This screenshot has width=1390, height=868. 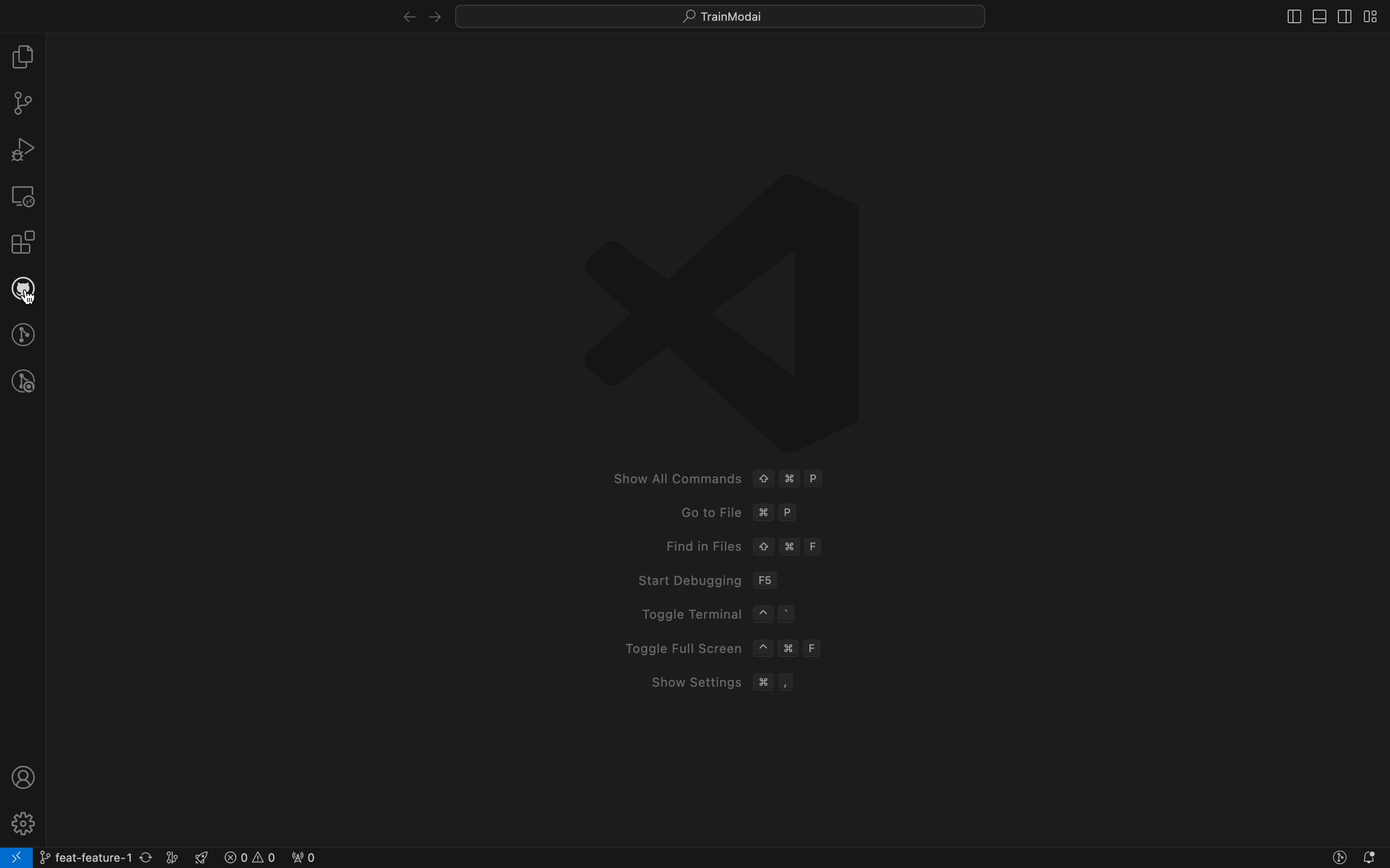 What do you see at coordinates (22, 149) in the screenshot?
I see `debugger` at bounding box center [22, 149].